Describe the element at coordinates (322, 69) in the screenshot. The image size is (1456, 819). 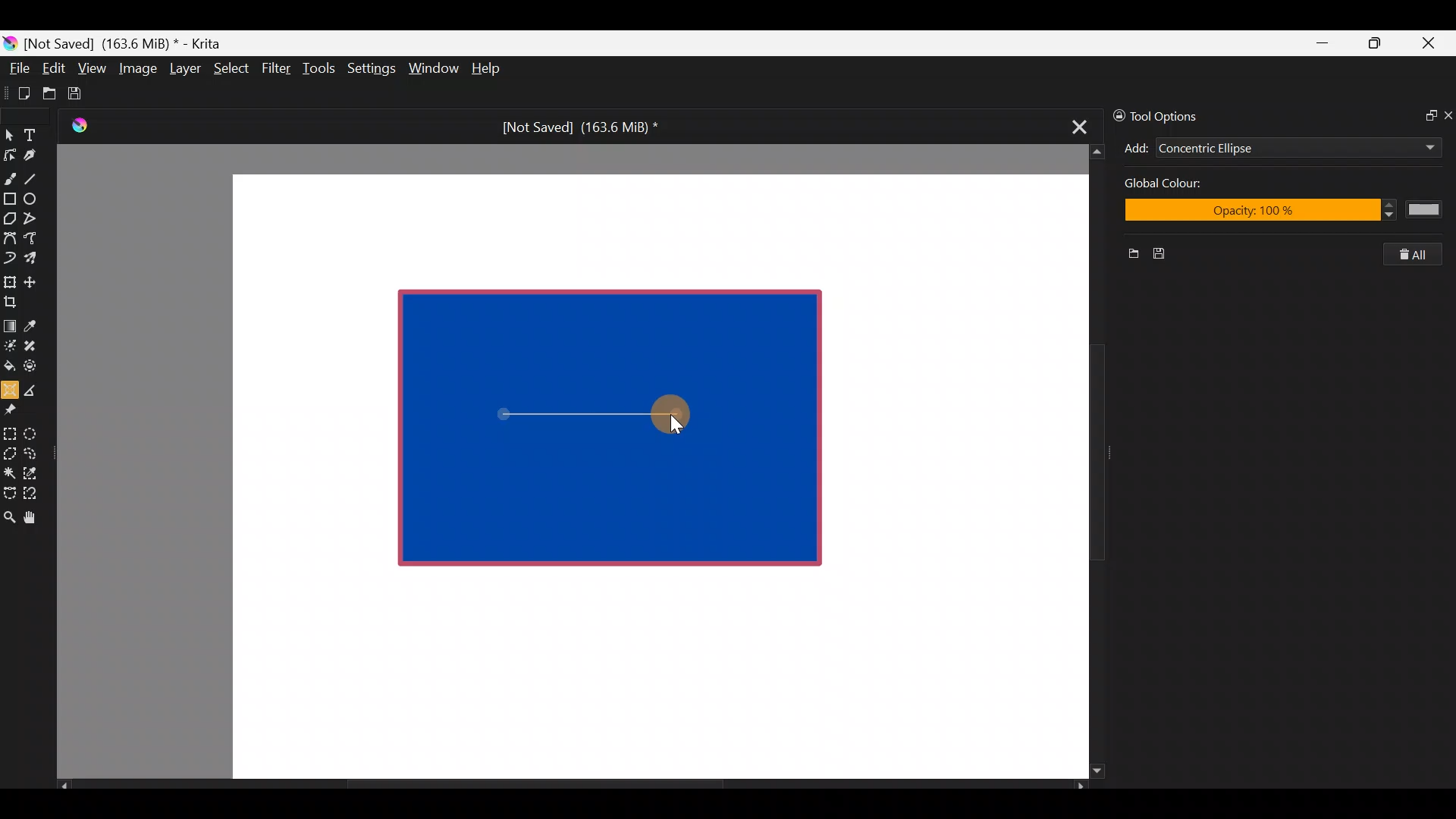
I see `Tools` at that location.